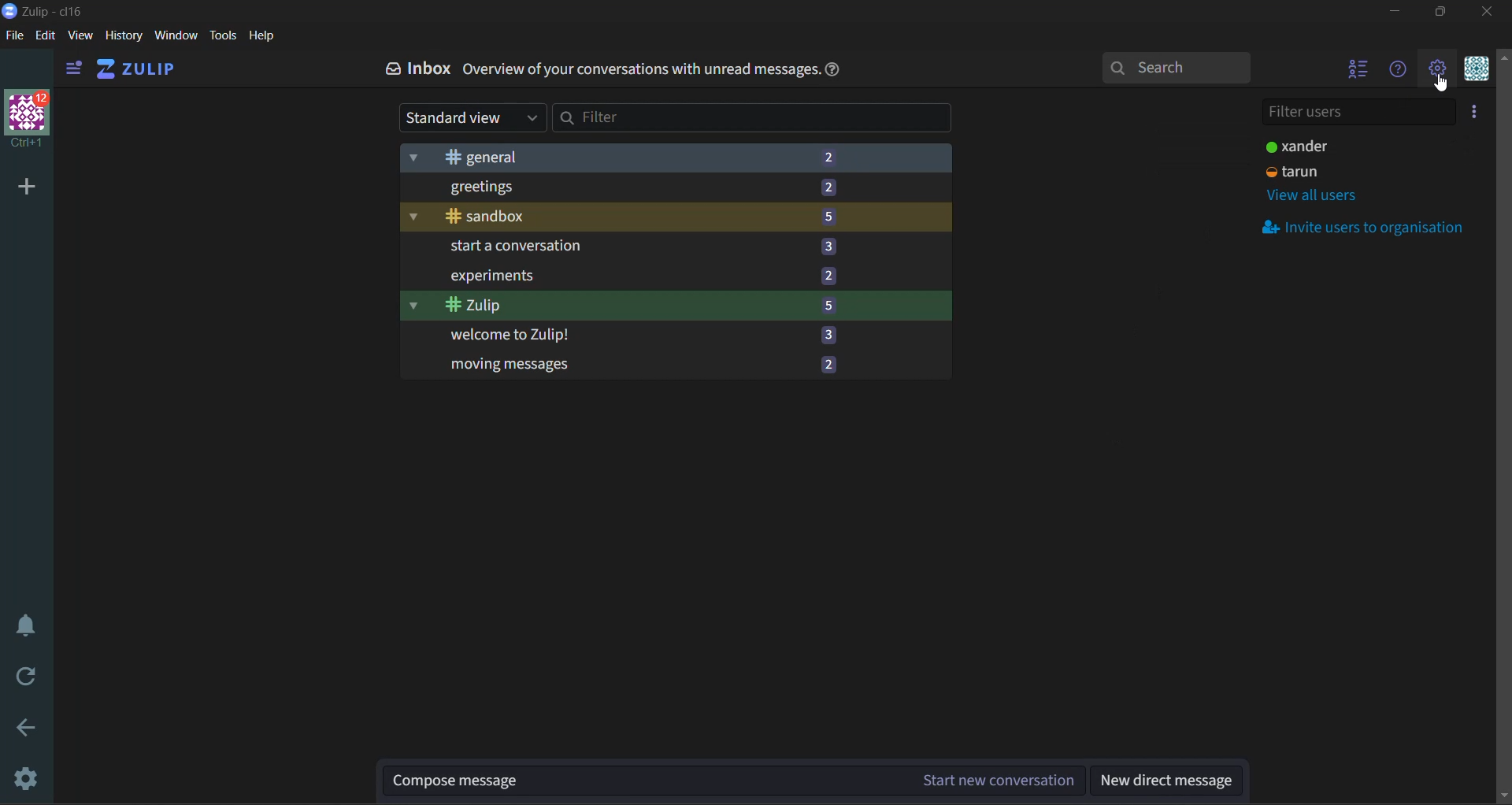 Image resolution: width=1512 pixels, height=805 pixels. I want to click on minimize, so click(1393, 12).